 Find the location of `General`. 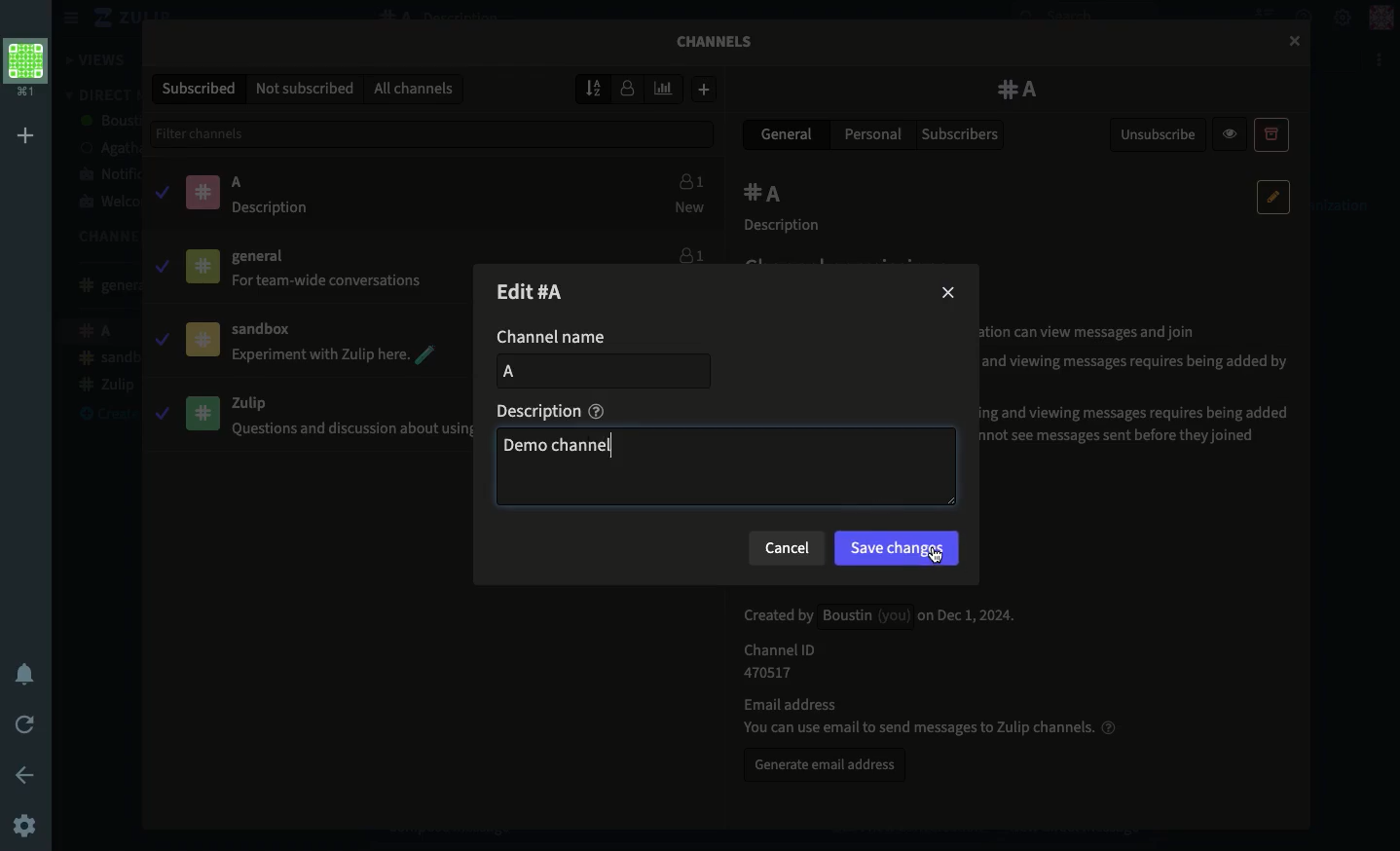

General is located at coordinates (308, 273).